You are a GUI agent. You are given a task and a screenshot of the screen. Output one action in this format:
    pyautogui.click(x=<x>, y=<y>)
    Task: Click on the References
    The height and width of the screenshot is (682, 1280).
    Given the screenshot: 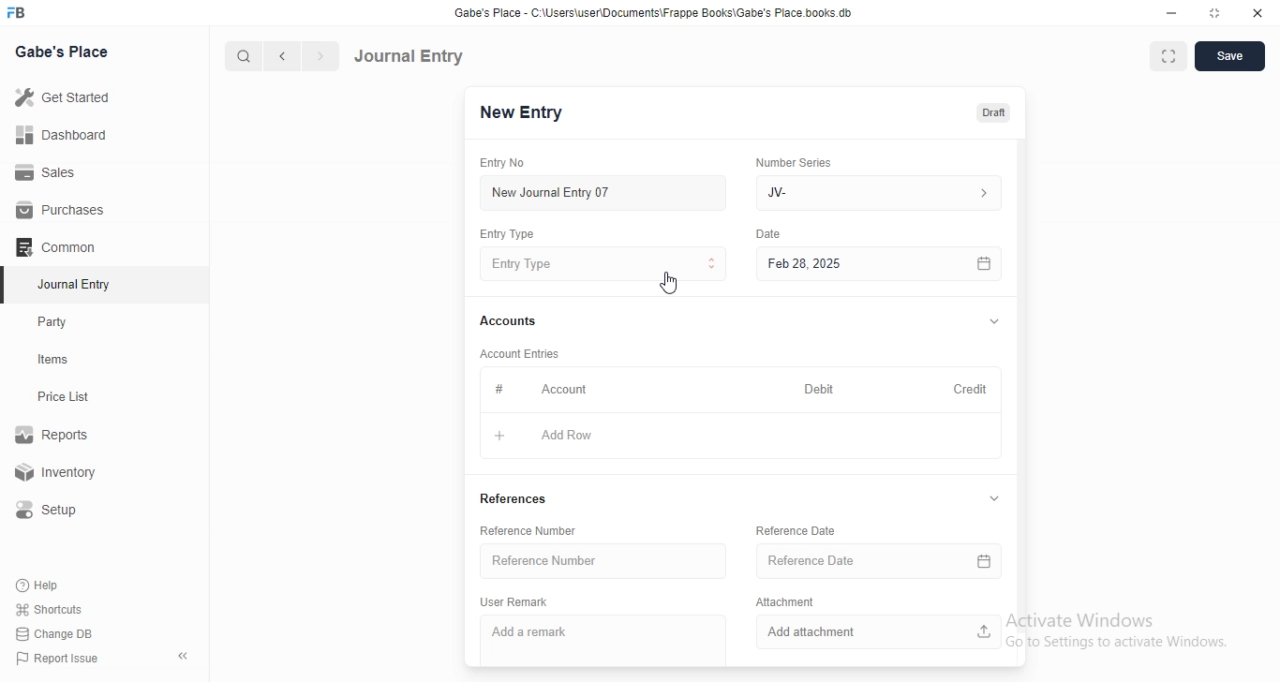 What is the action you would take?
    pyautogui.click(x=520, y=498)
    